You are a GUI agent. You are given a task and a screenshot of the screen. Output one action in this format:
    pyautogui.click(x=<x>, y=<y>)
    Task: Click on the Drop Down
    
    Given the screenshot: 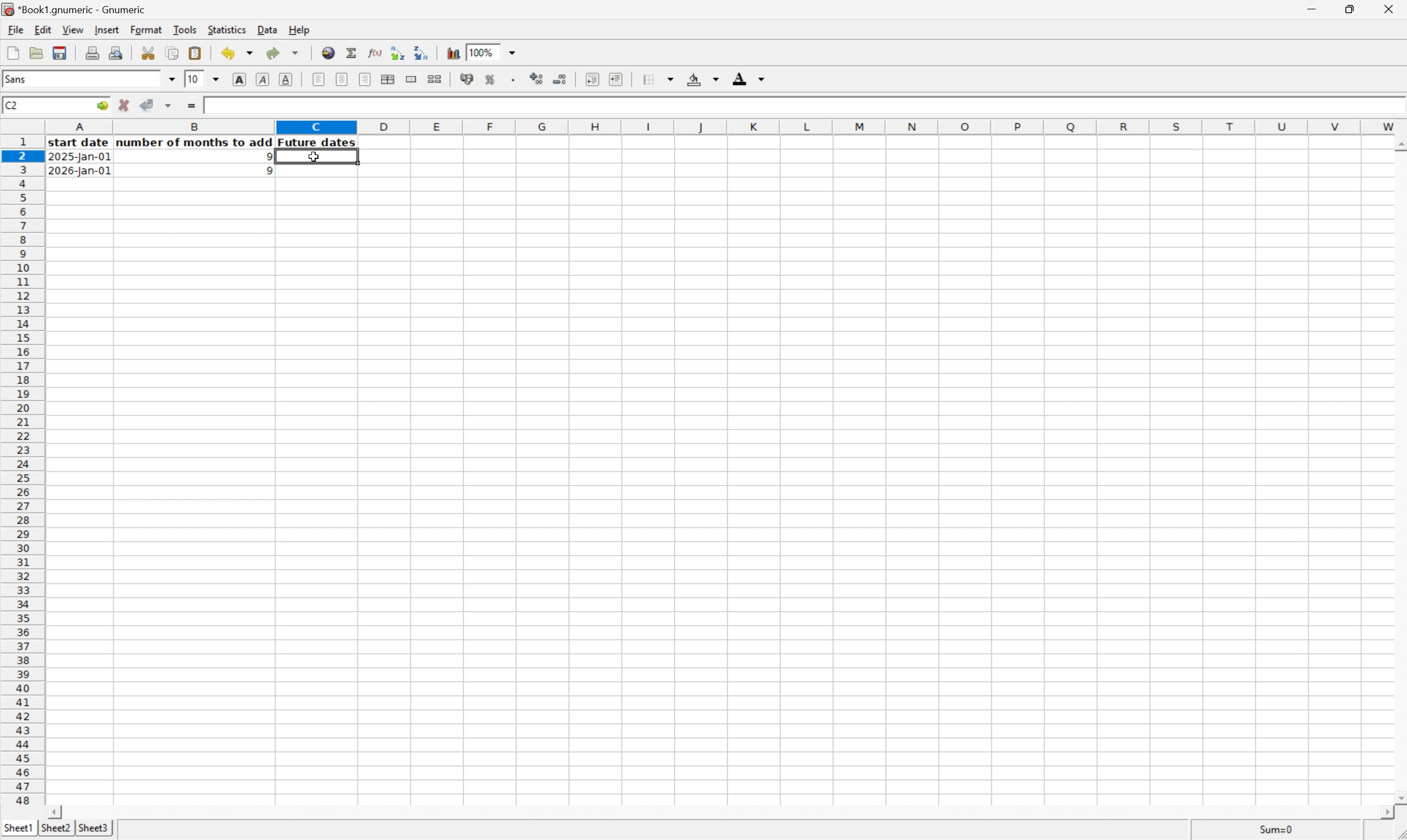 What is the action you would take?
    pyautogui.click(x=216, y=80)
    